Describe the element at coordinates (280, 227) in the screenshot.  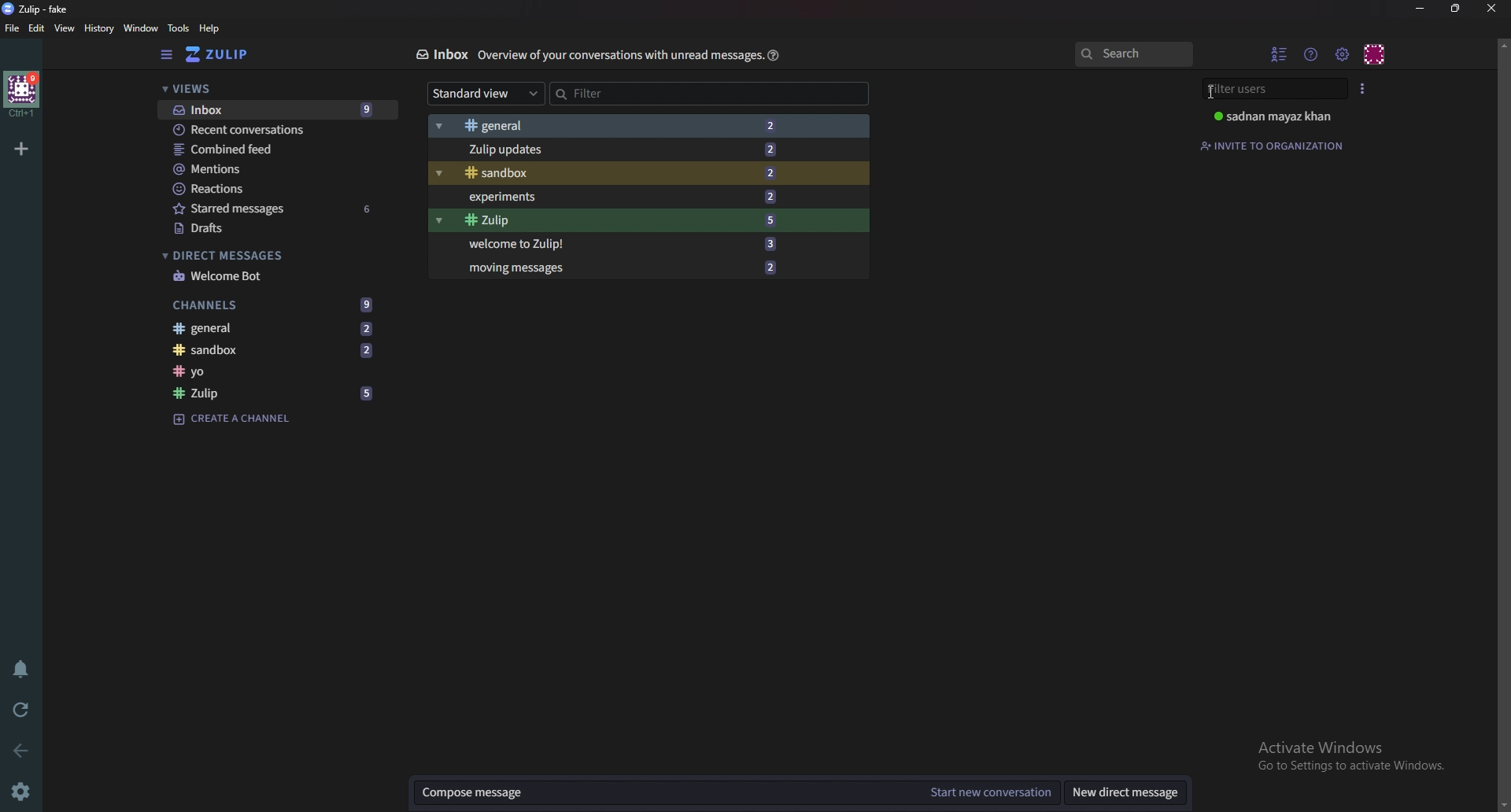
I see `Drafts` at that location.